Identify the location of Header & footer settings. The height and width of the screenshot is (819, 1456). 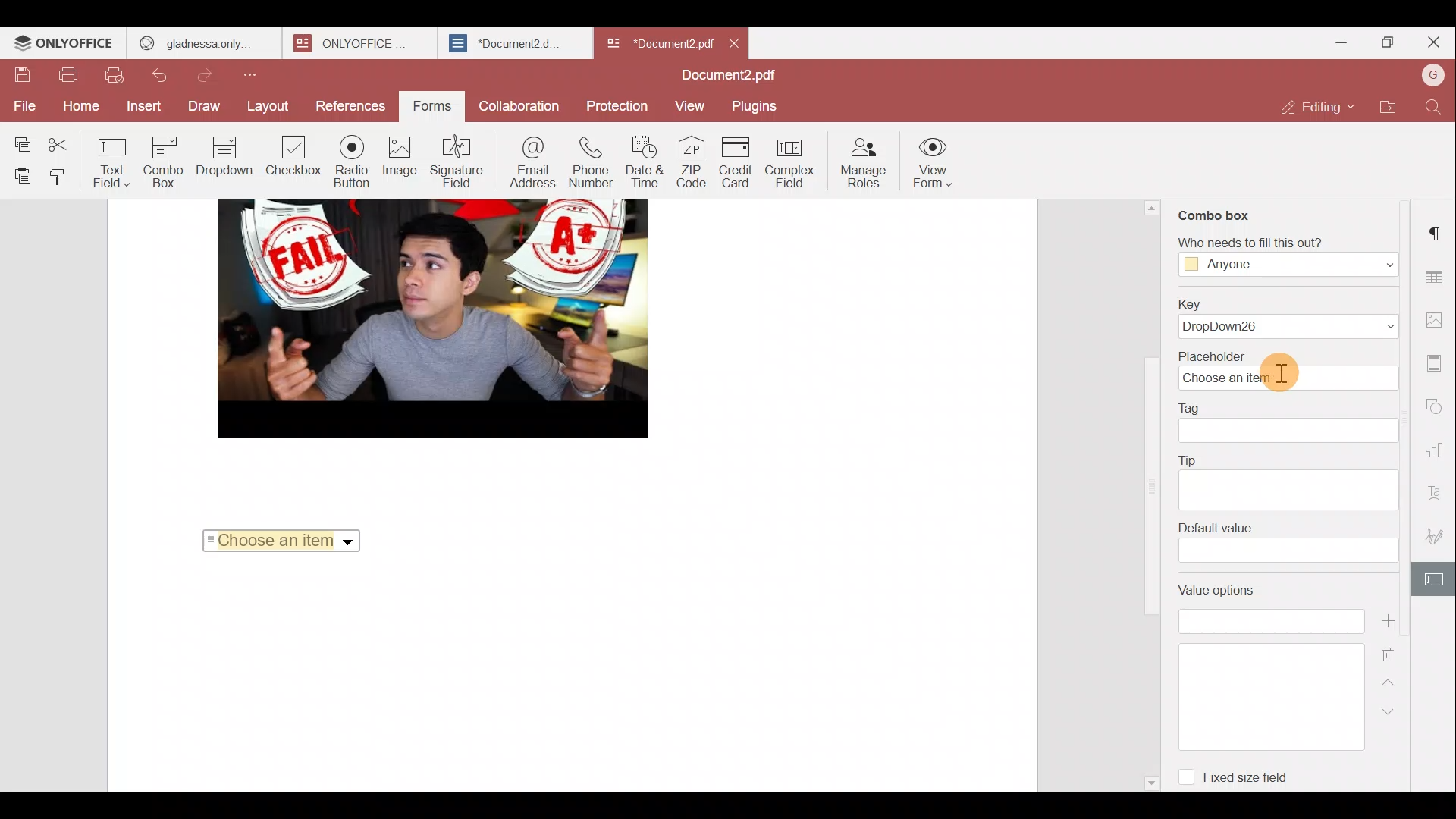
(1436, 364).